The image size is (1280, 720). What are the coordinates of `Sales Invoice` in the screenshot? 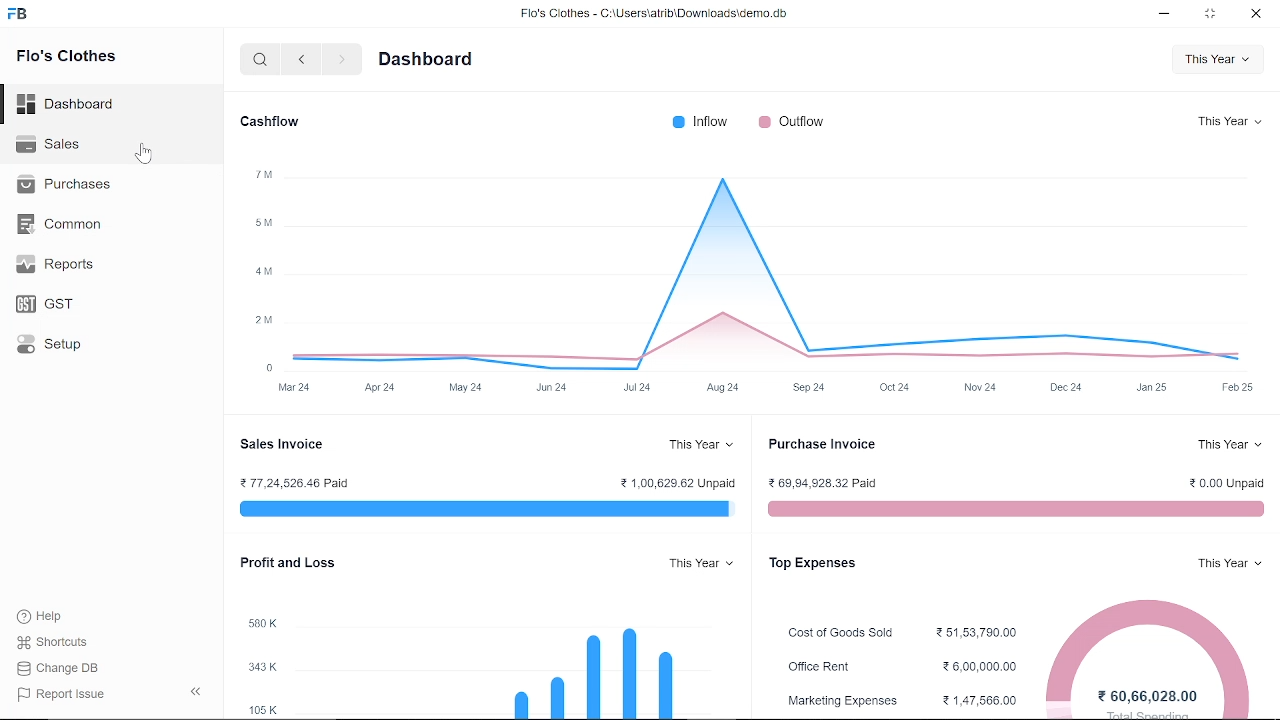 It's located at (286, 445).